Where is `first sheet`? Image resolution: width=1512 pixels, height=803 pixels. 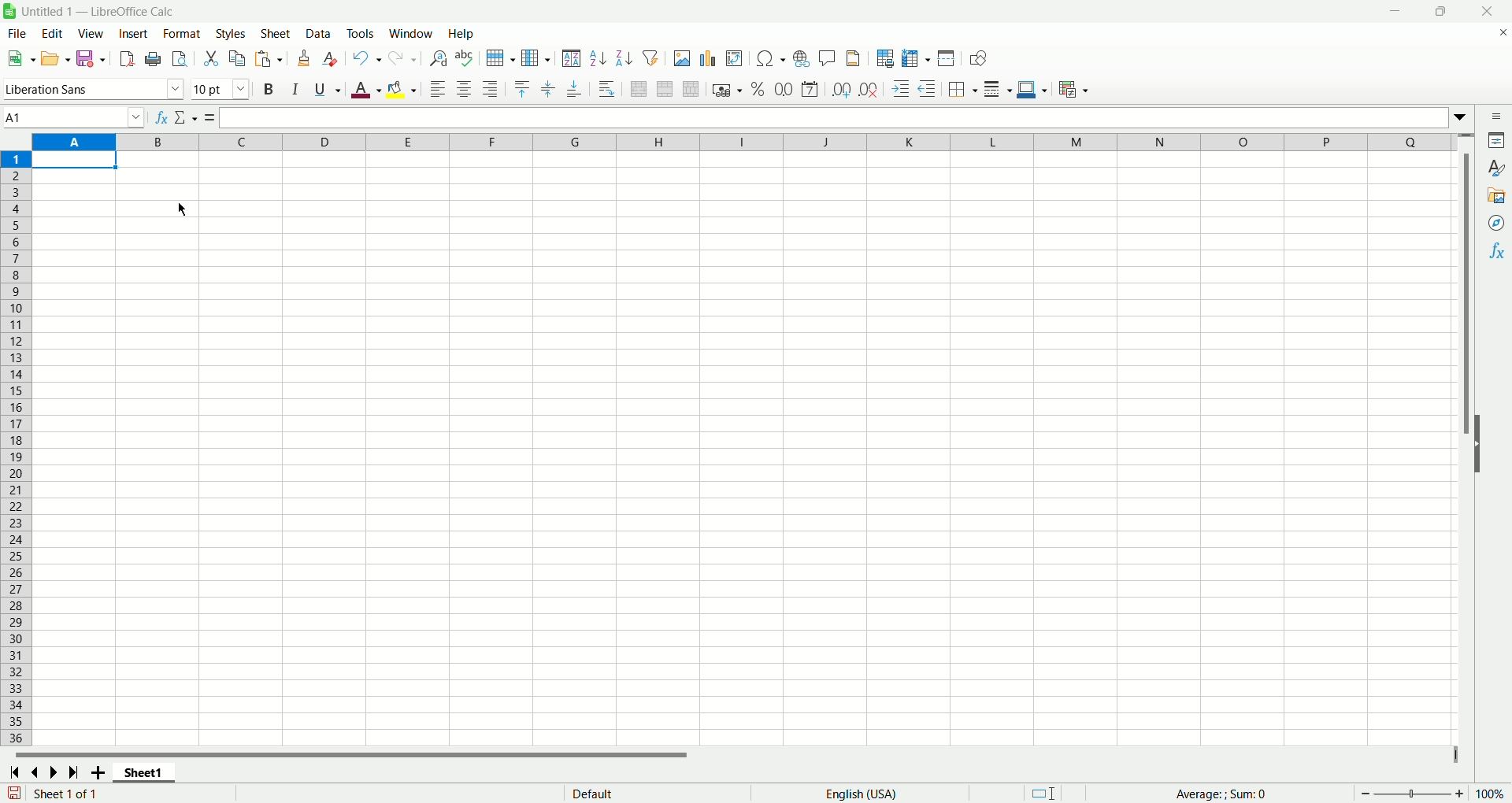 first sheet is located at coordinates (13, 771).